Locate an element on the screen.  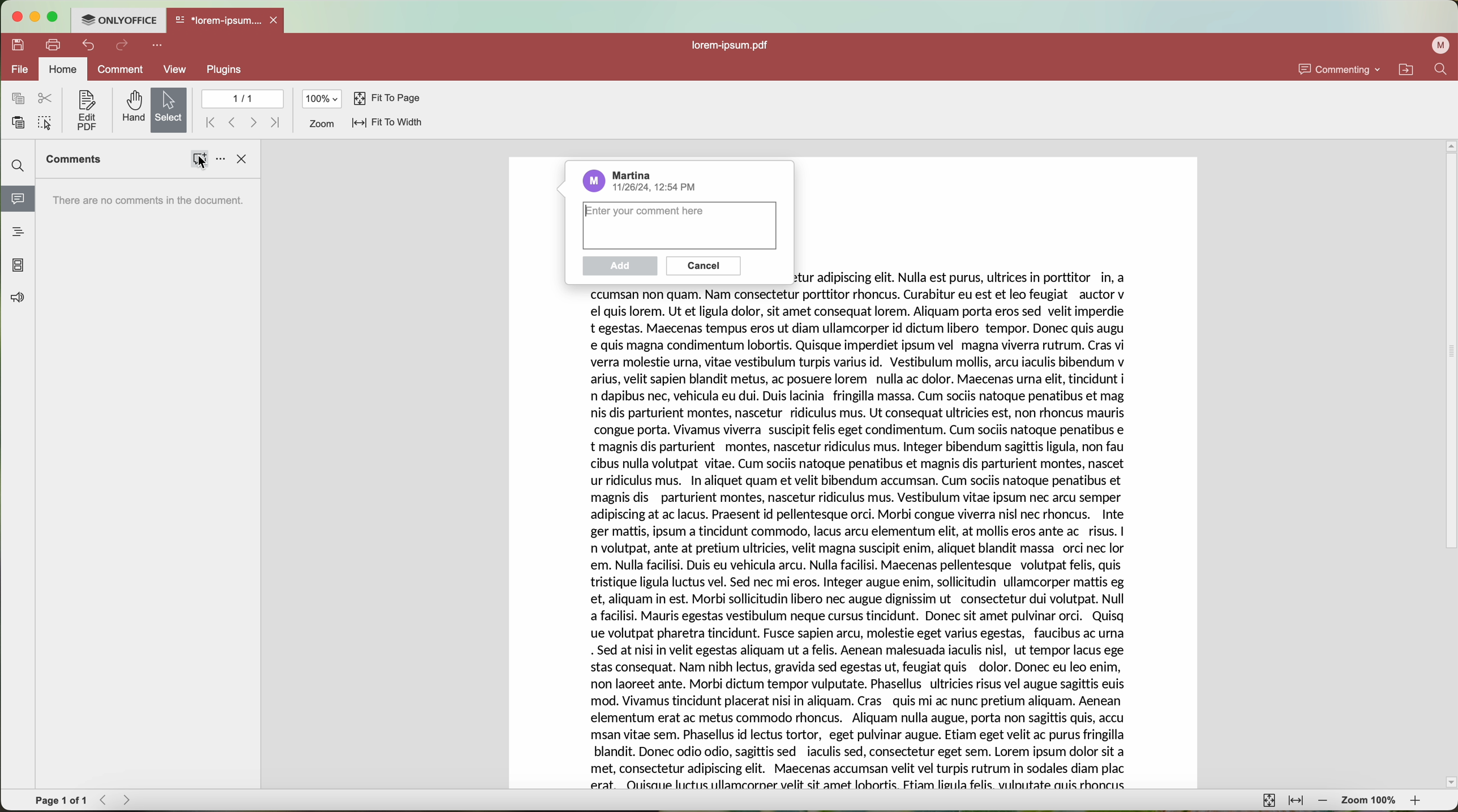
fit to page is located at coordinates (1269, 801).